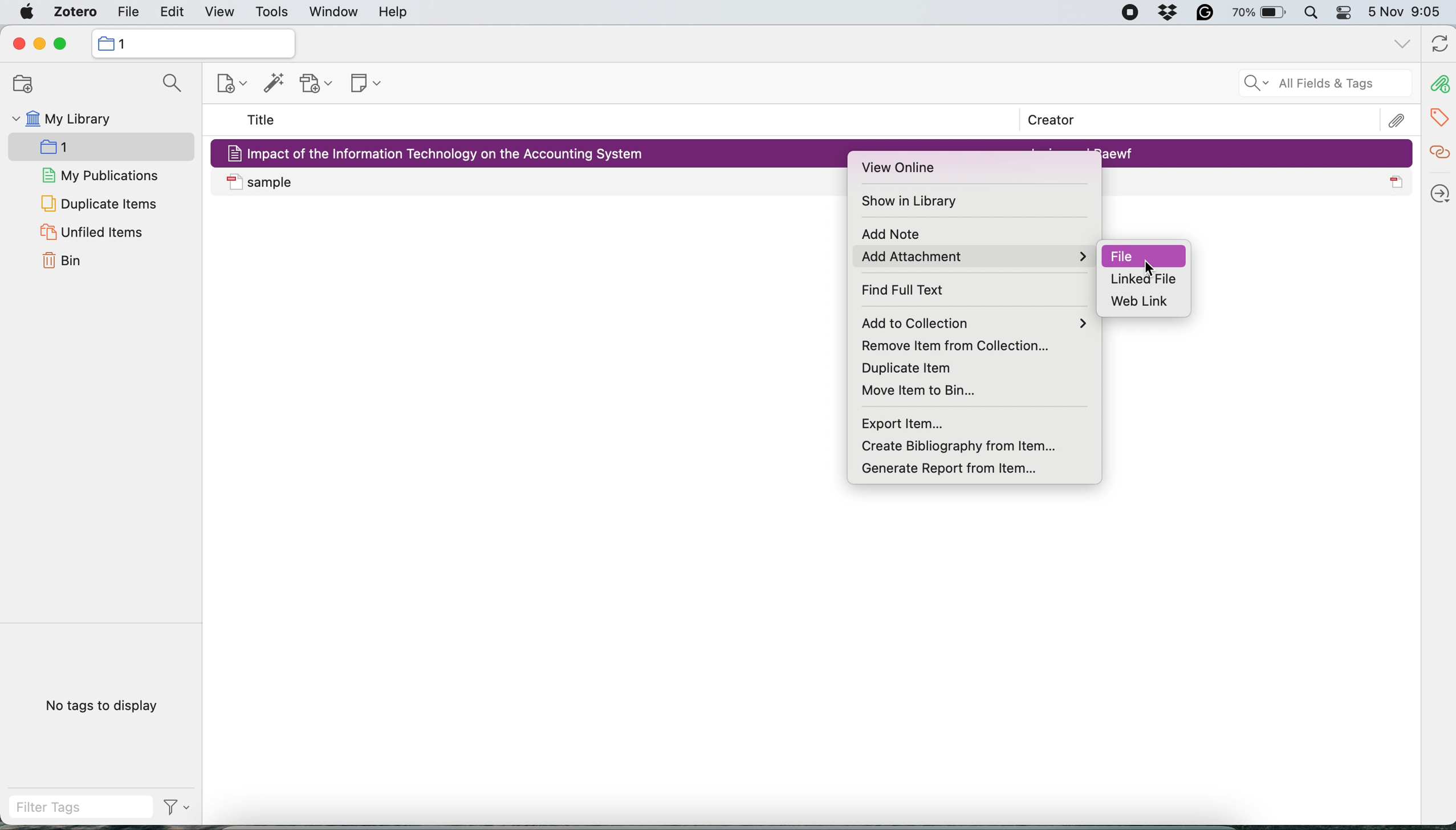 This screenshot has height=830, width=1456. What do you see at coordinates (914, 202) in the screenshot?
I see `show in library` at bounding box center [914, 202].